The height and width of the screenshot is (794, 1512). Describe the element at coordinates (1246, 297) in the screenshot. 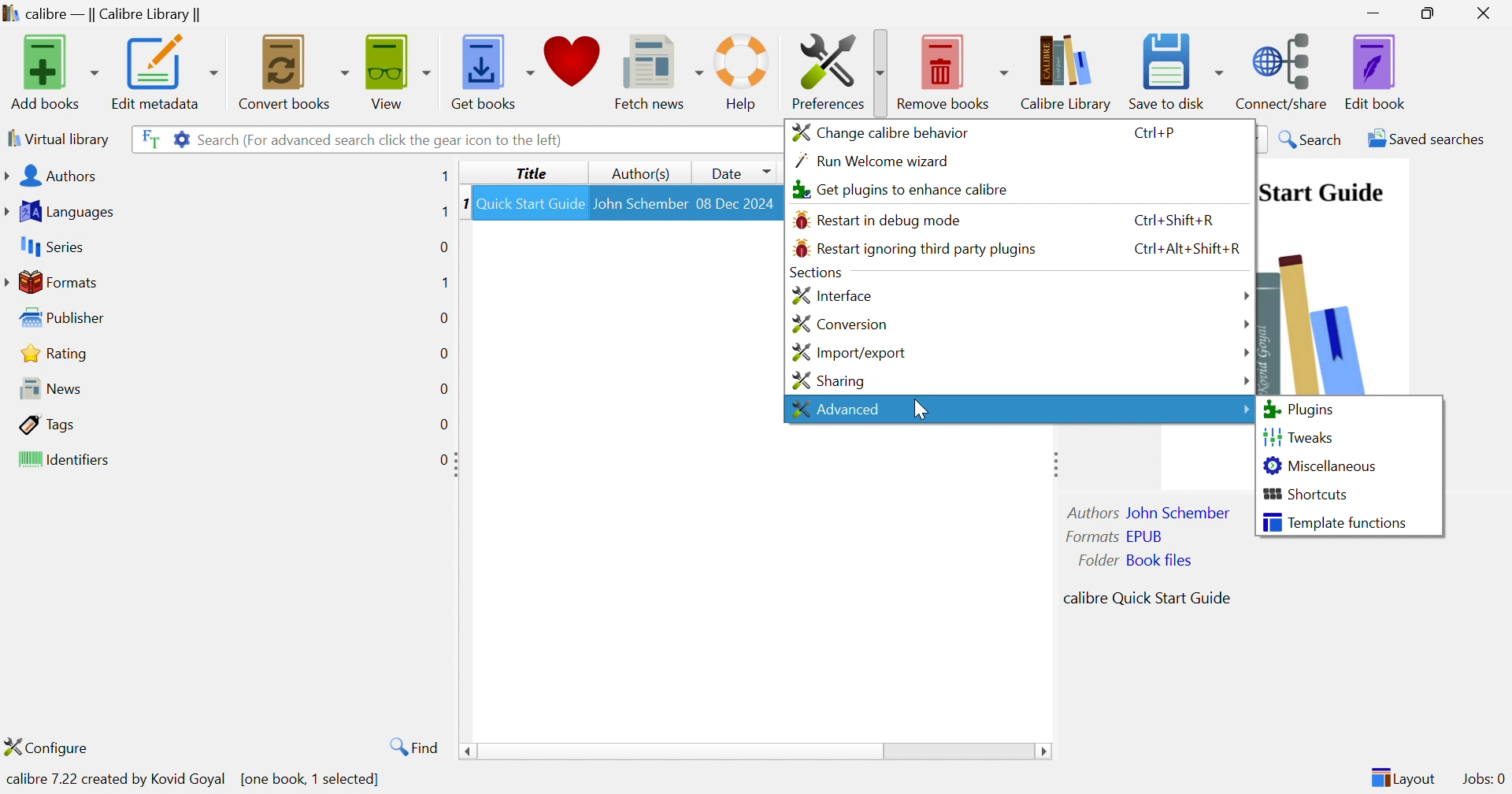

I see `Drop Down` at that location.